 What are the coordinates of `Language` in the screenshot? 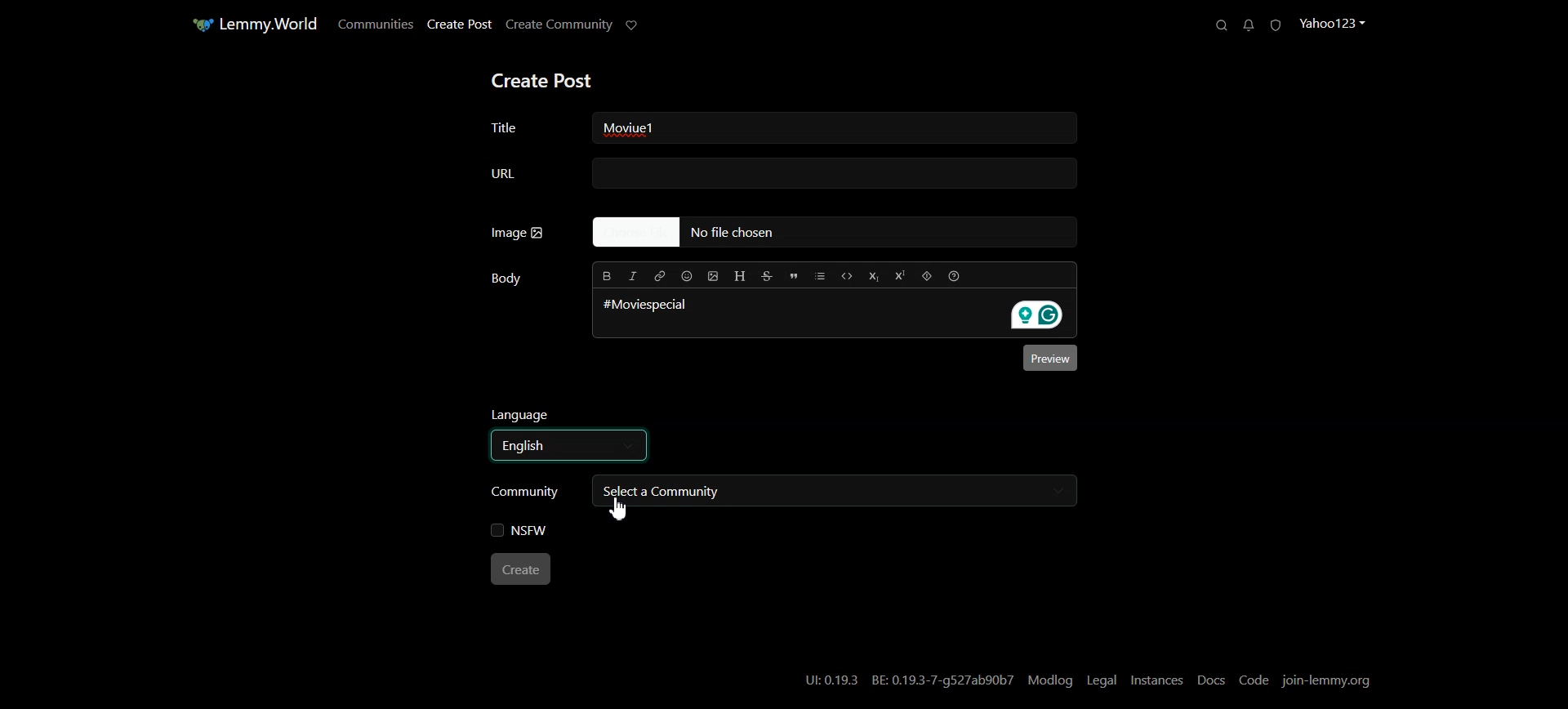 It's located at (571, 417).